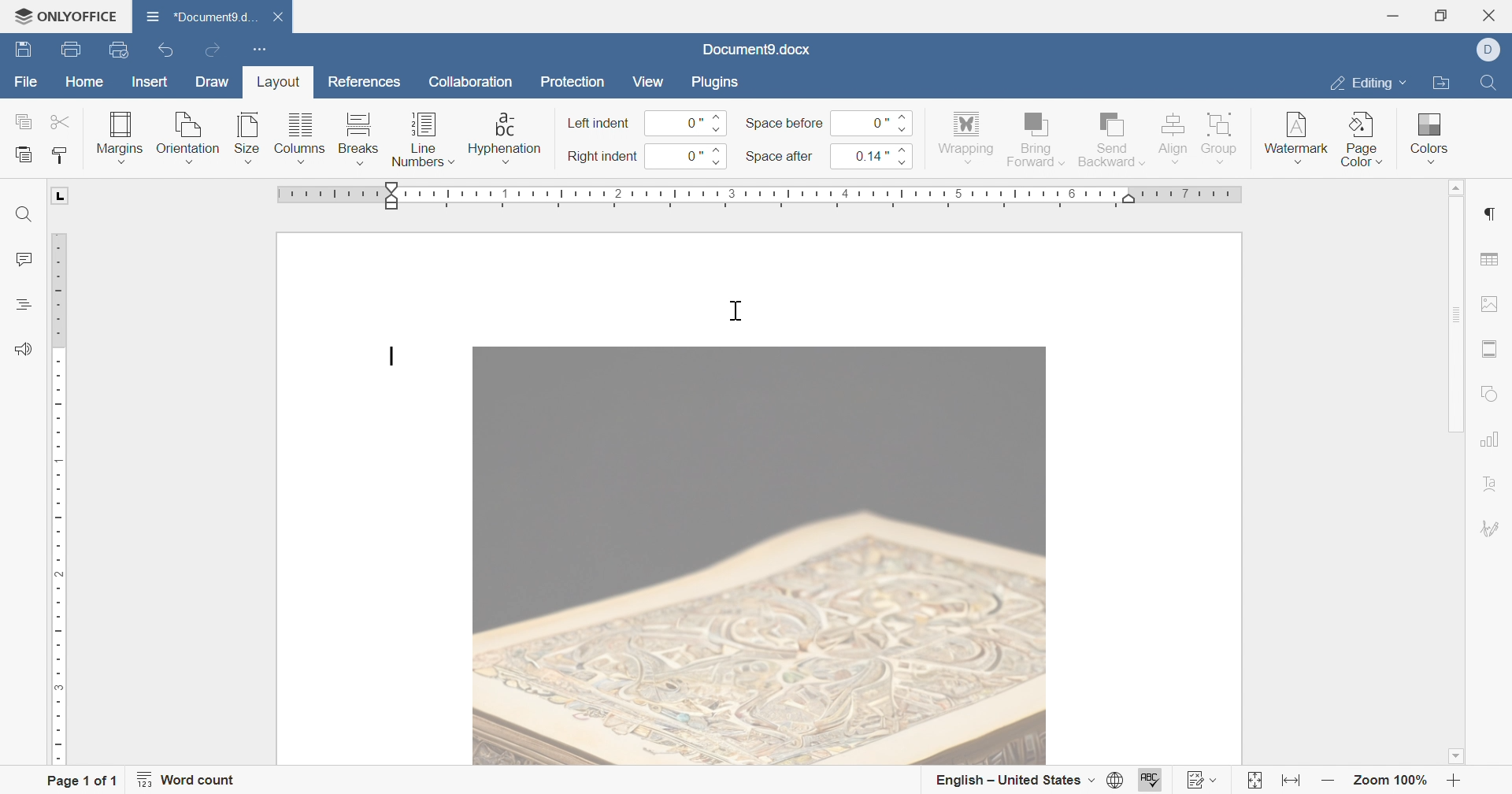 Image resolution: width=1512 pixels, height=794 pixels. I want to click on references, so click(366, 80).